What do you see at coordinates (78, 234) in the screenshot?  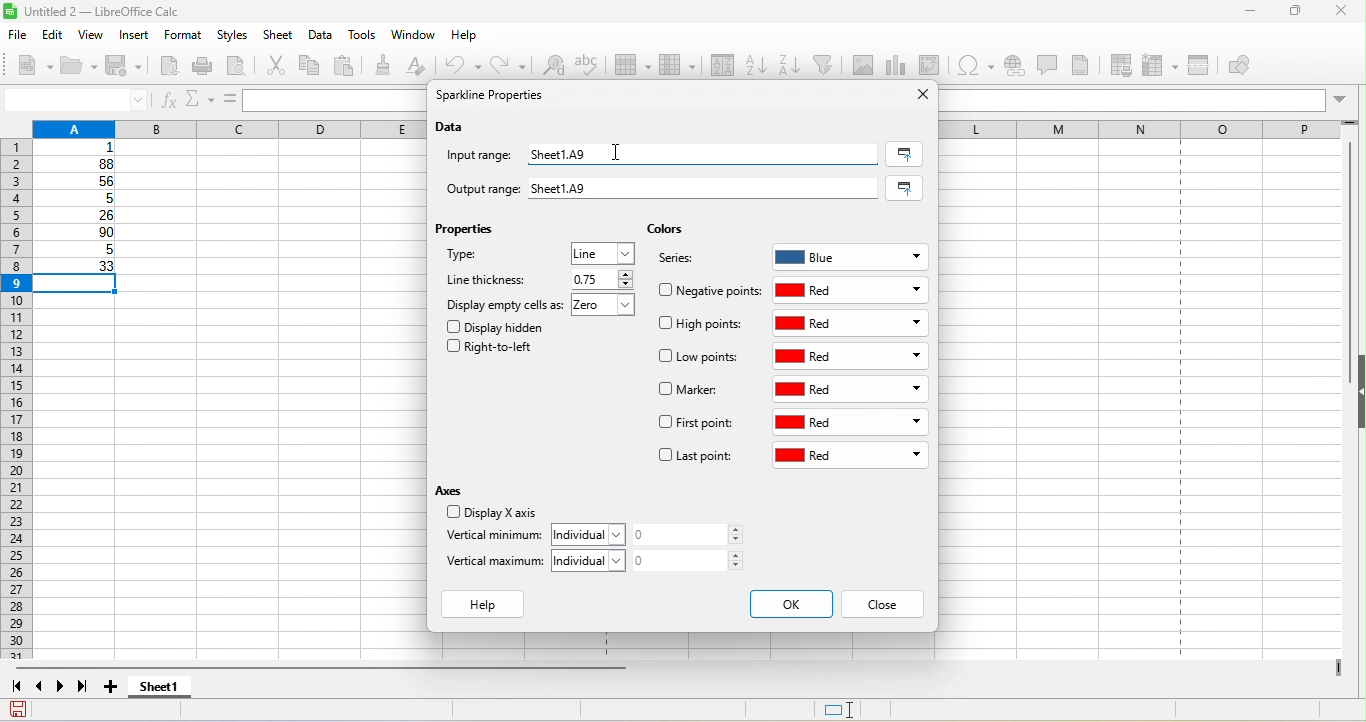 I see `90` at bounding box center [78, 234].